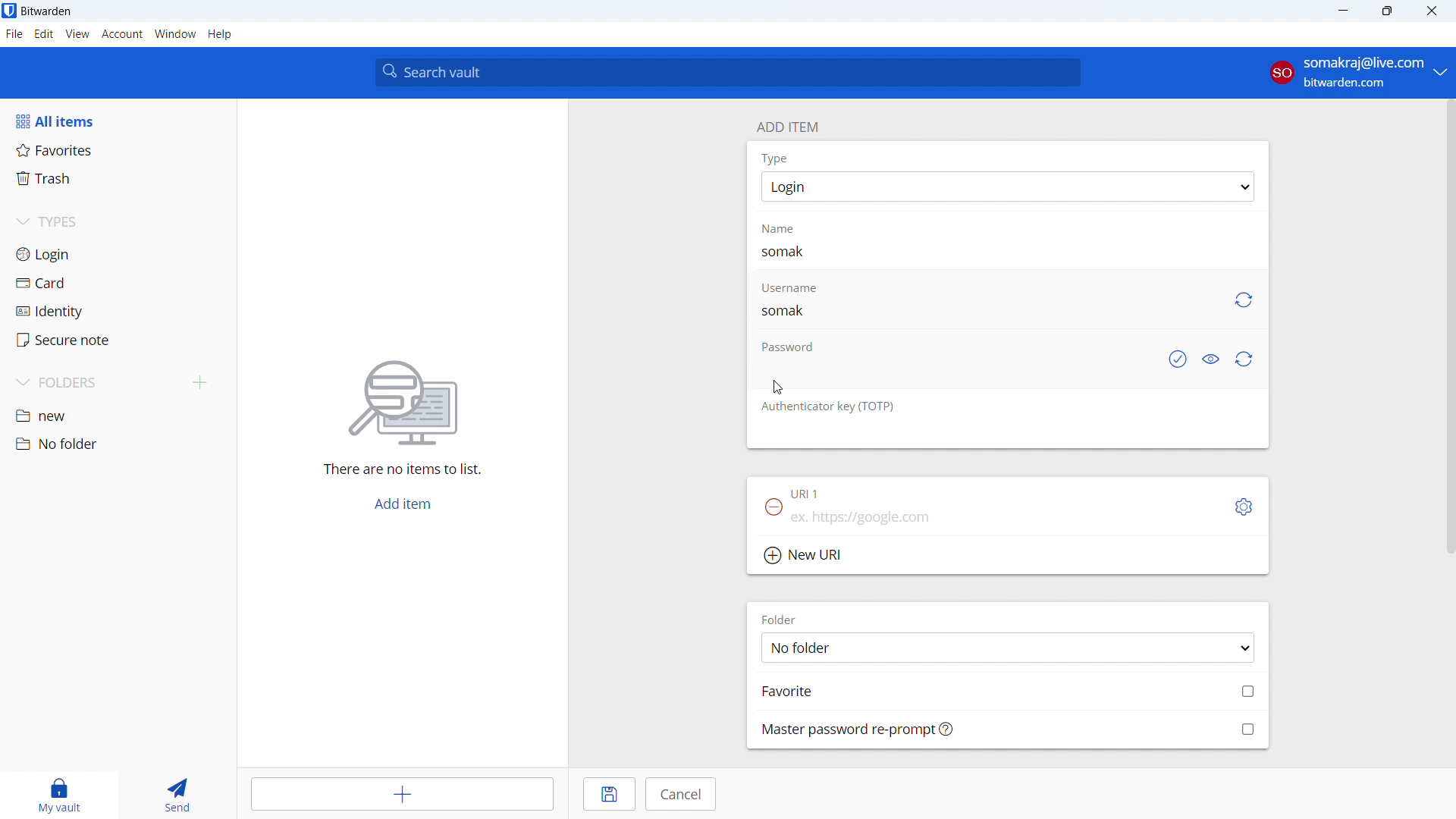  Describe the element at coordinates (1210, 360) in the screenshot. I see `toggle visibility` at that location.